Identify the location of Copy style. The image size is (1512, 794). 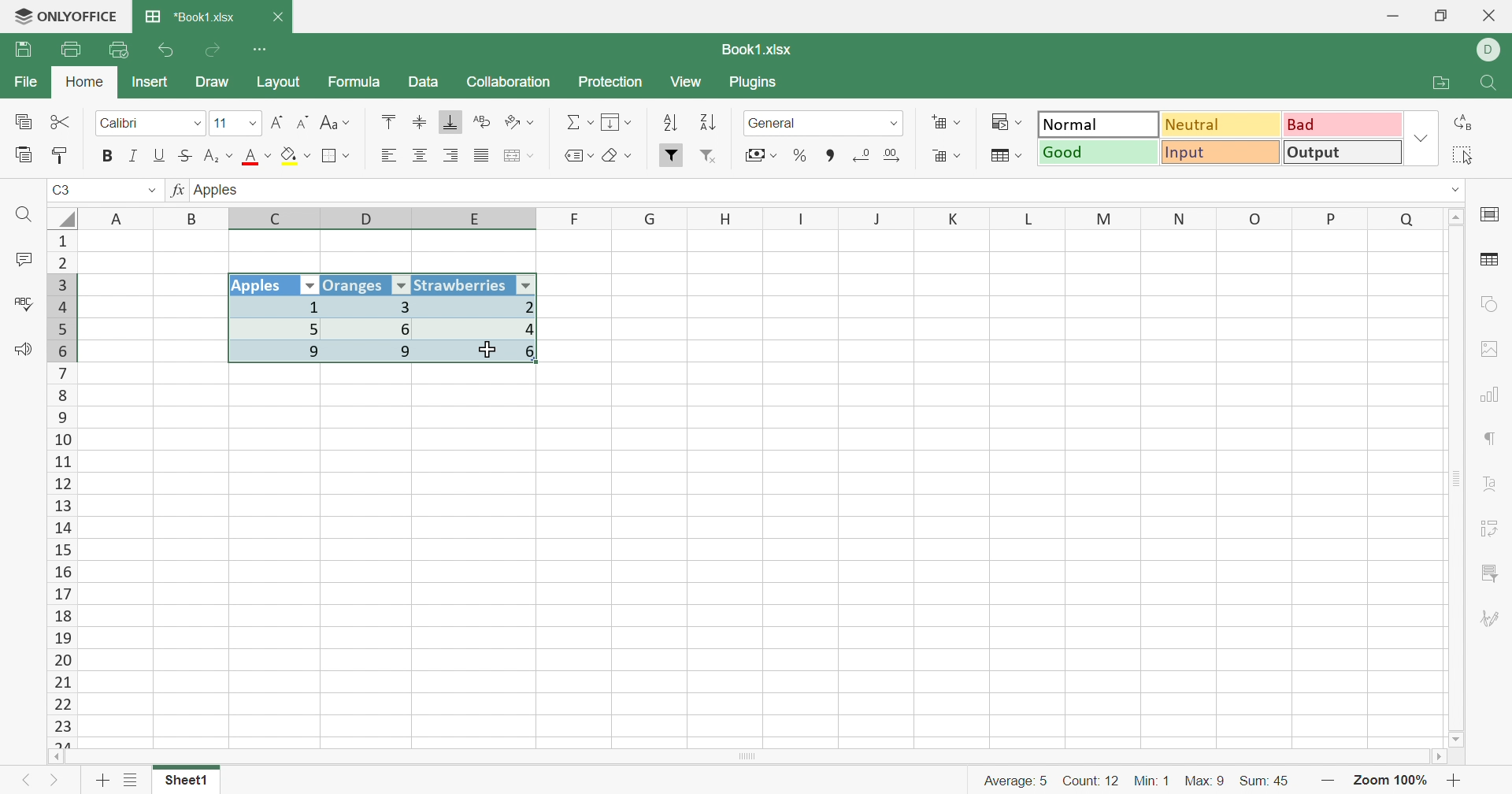
(62, 154).